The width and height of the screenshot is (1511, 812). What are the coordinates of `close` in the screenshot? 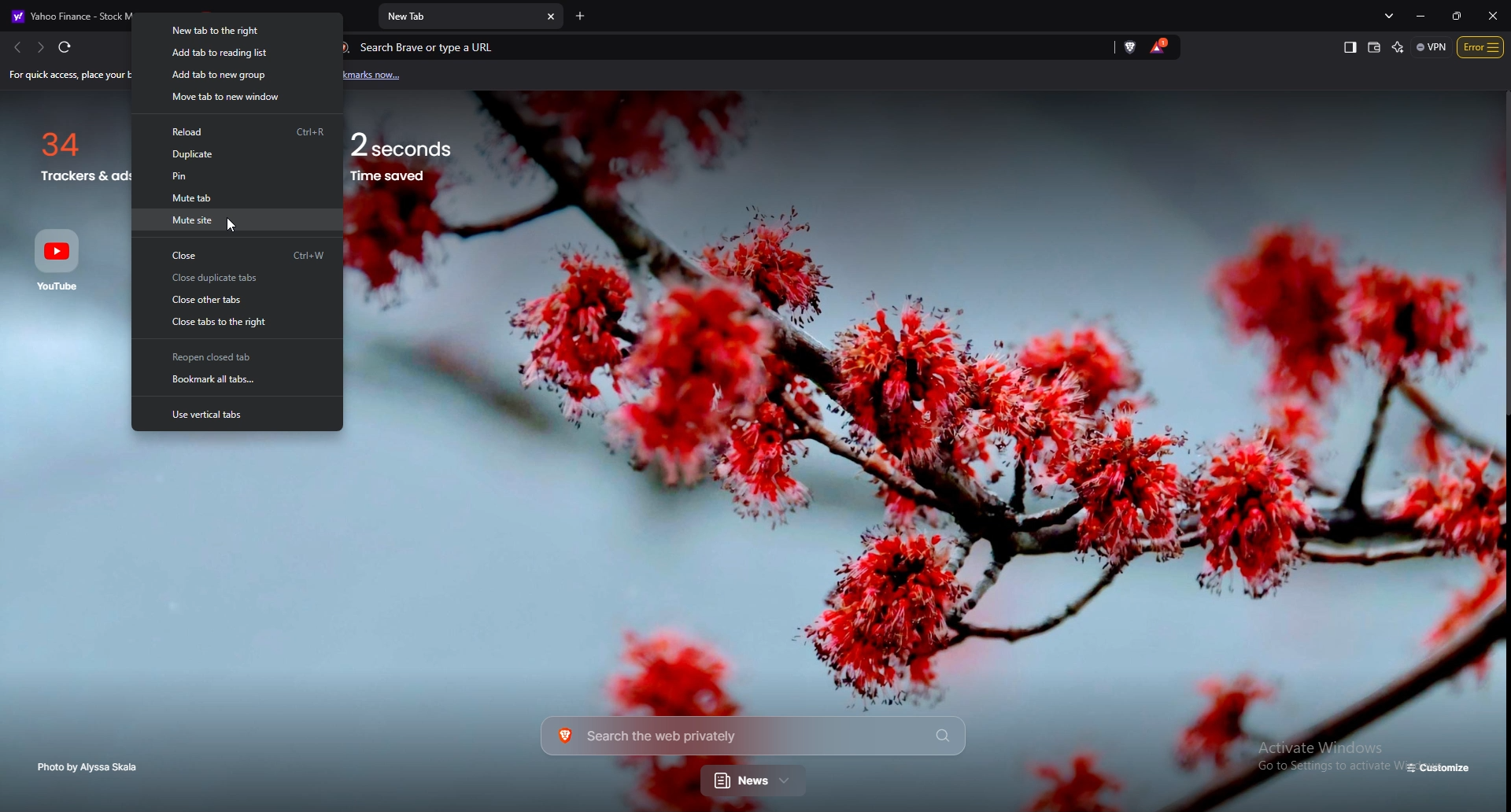 It's located at (238, 254).